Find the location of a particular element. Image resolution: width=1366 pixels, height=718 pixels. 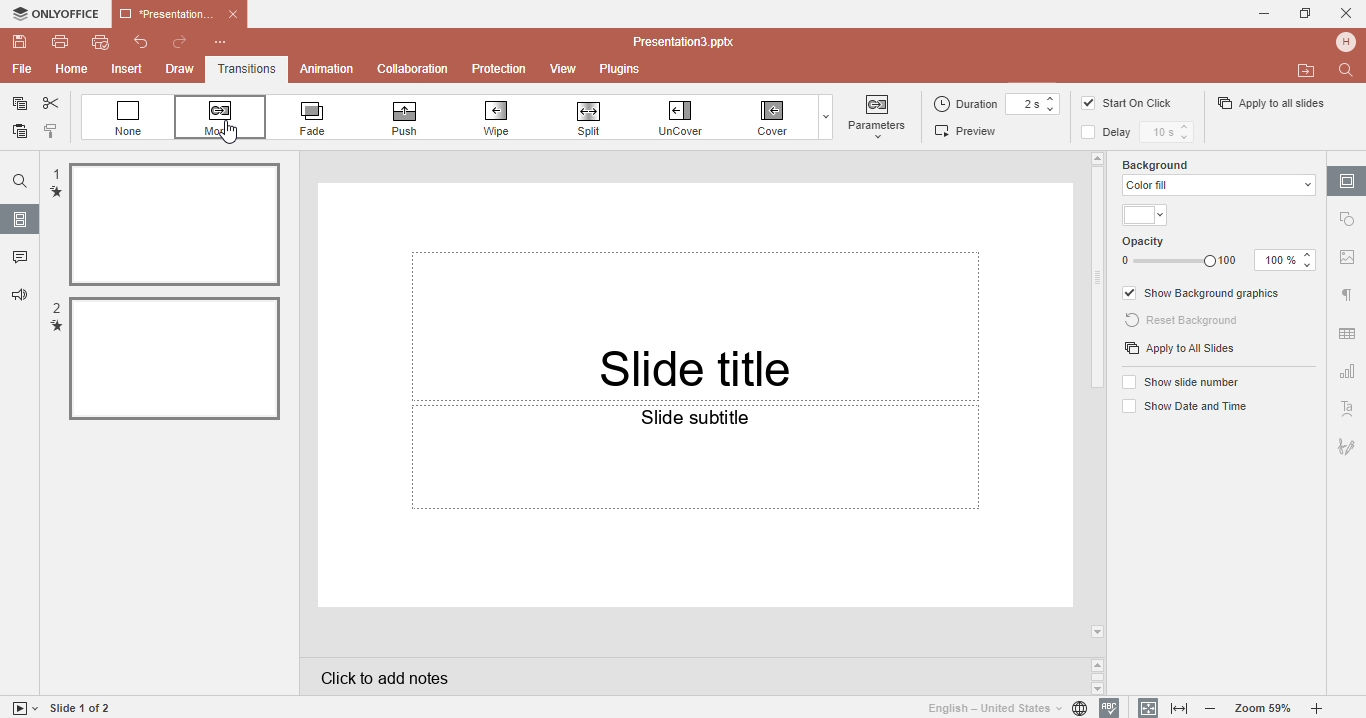

Document name is located at coordinates (178, 12).